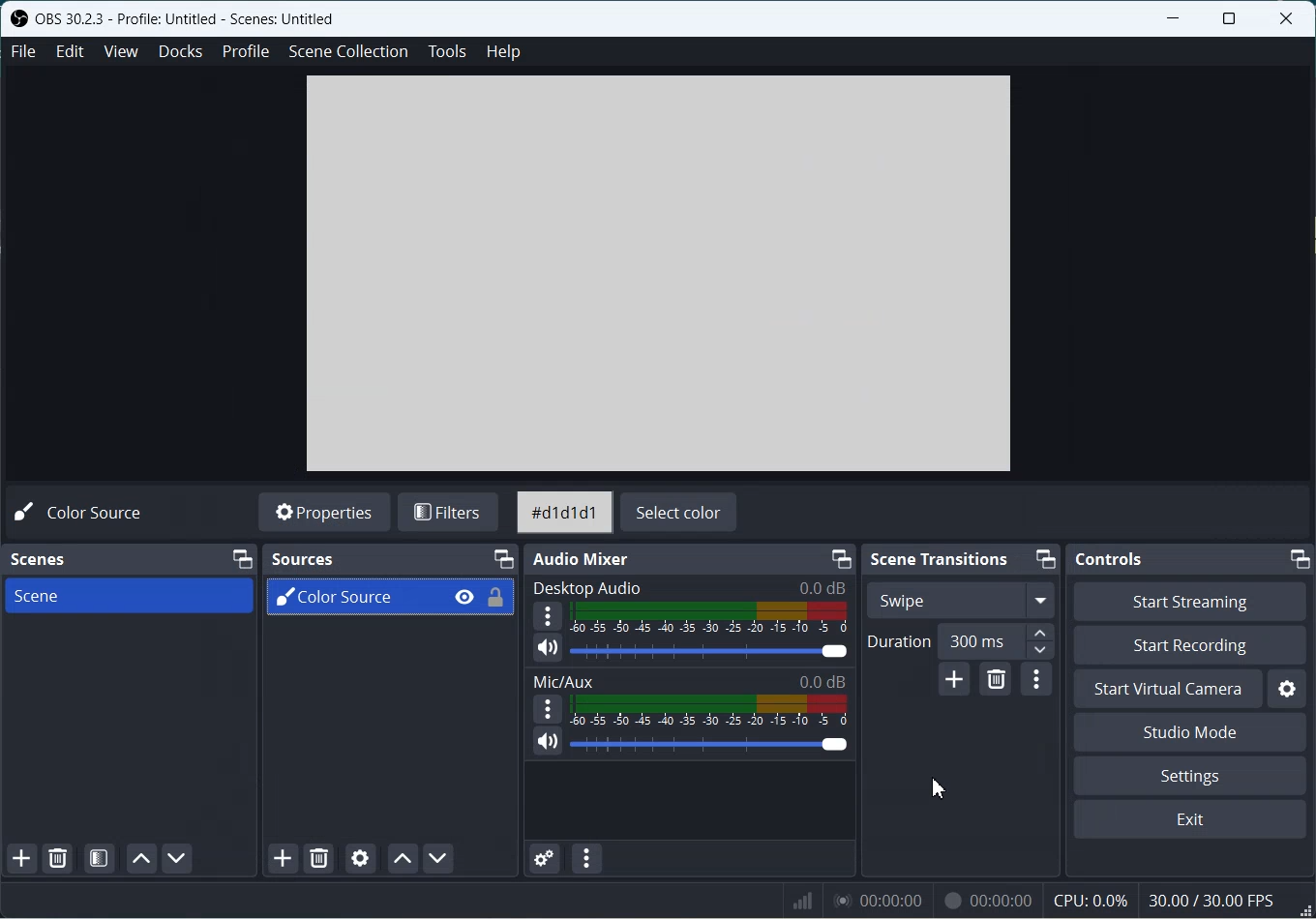 This screenshot has width=1316, height=919. What do you see at coordinates (549, 649) in the screenshot?
I see `Mute / Unmute` at bounding box center [549, 649].